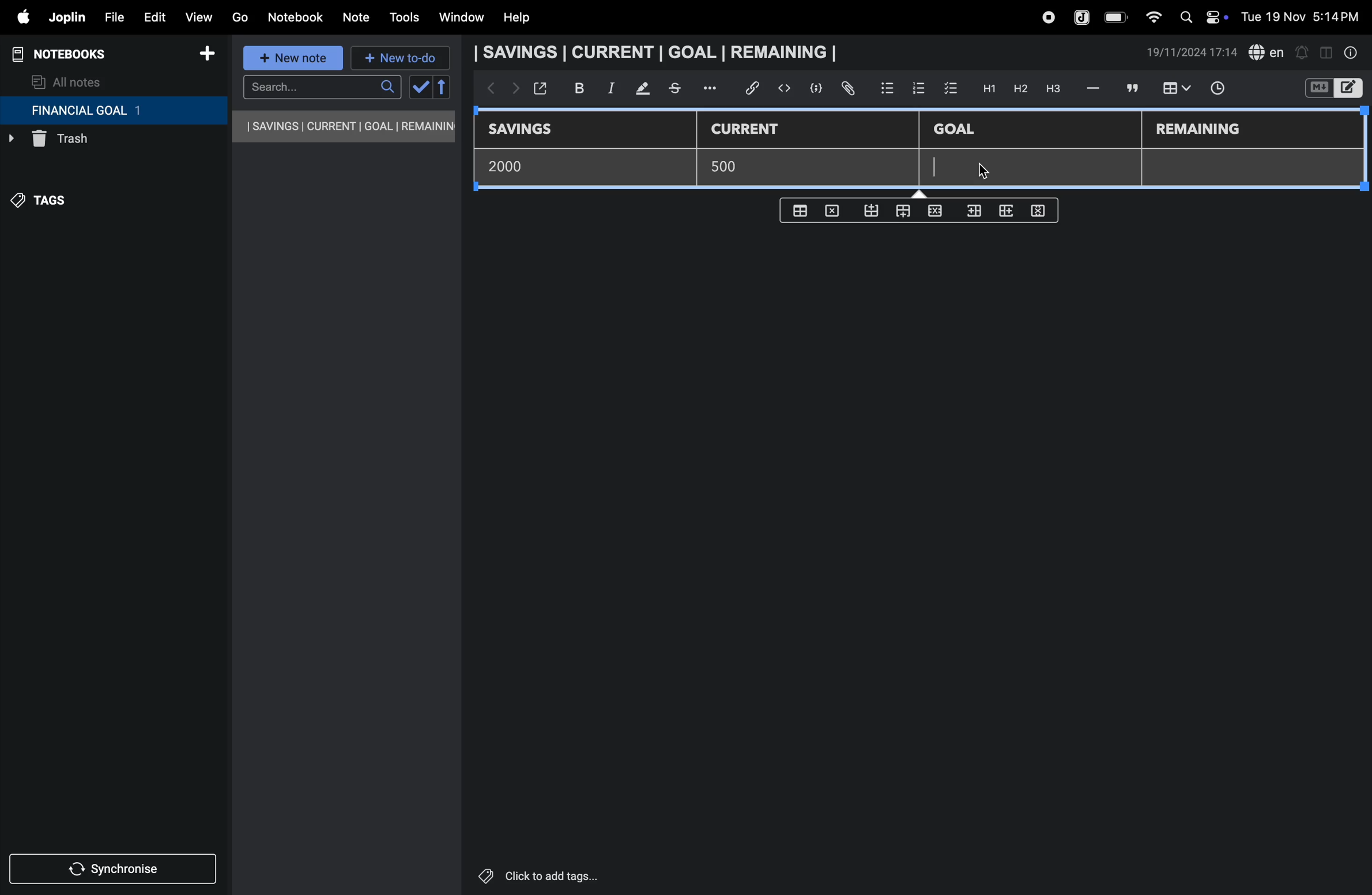  What do you see at coordinates (567, 875) in the screenshot?
I see `click to add tags` at bounding box center [567, 875].